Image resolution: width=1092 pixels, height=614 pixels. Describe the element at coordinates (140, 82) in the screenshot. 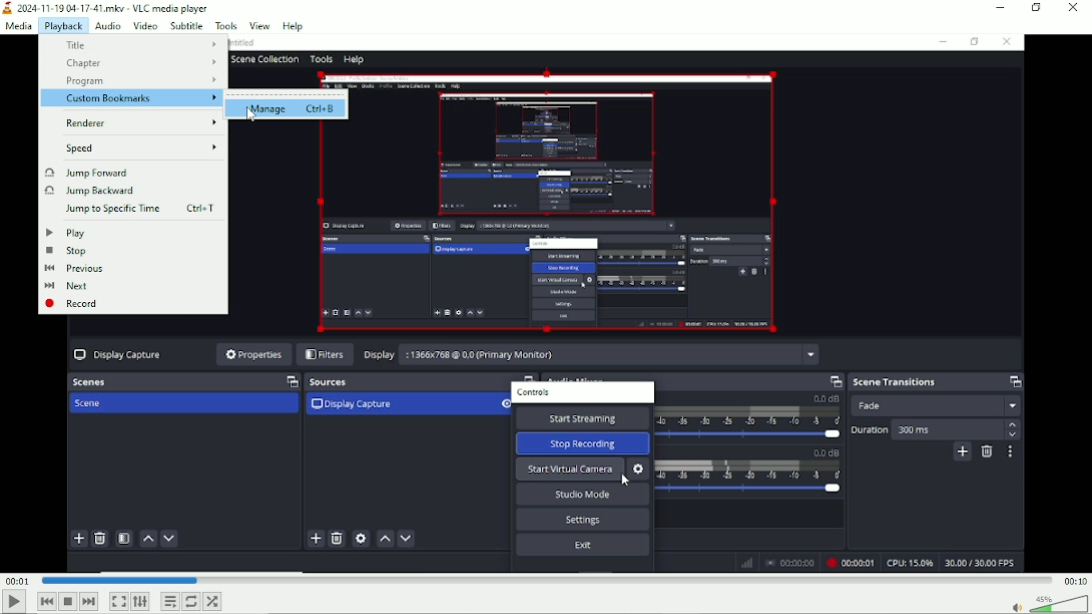

I see `Program` at that location.